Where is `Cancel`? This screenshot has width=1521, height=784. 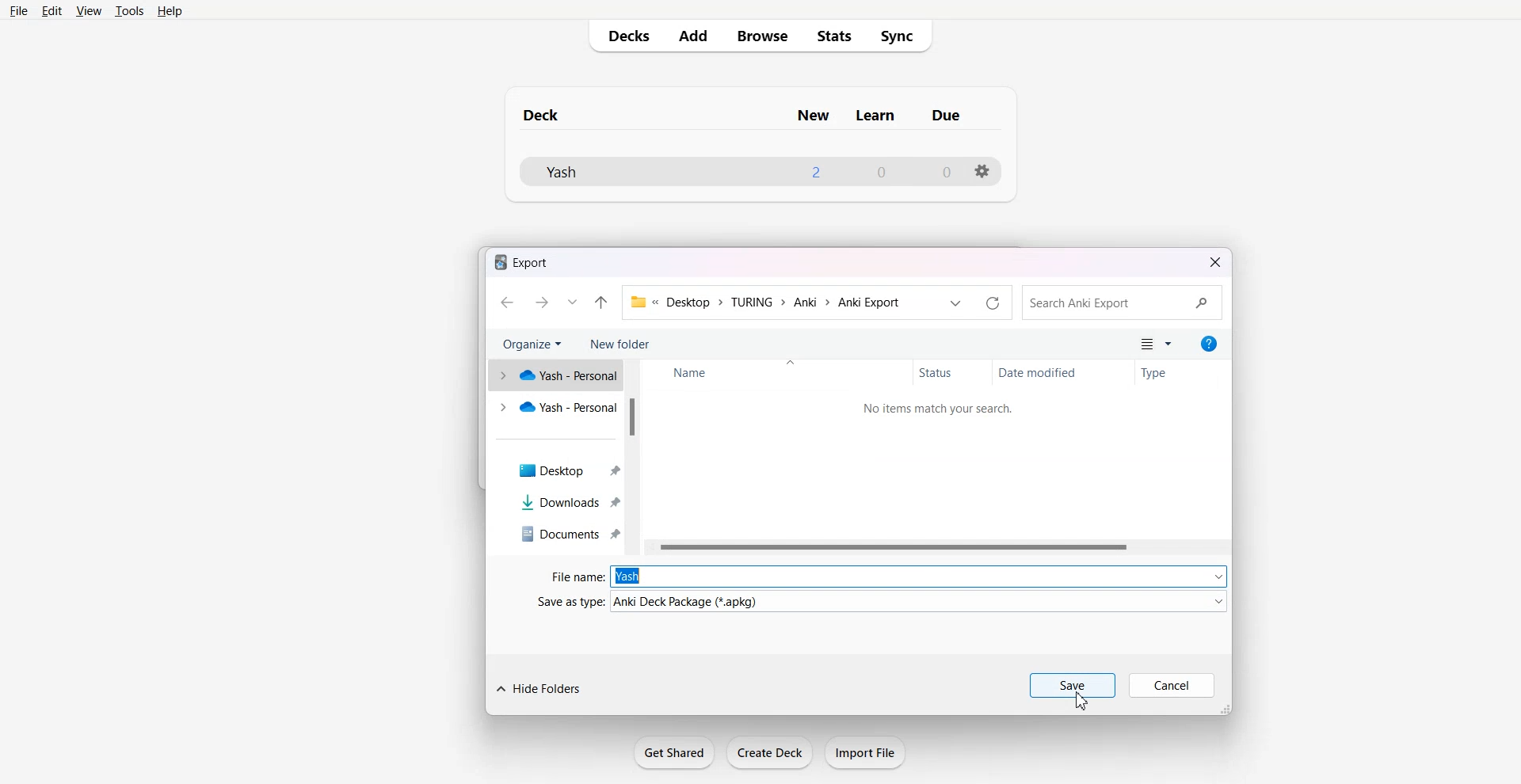
Cancel is located at coordinates (1172, 686).